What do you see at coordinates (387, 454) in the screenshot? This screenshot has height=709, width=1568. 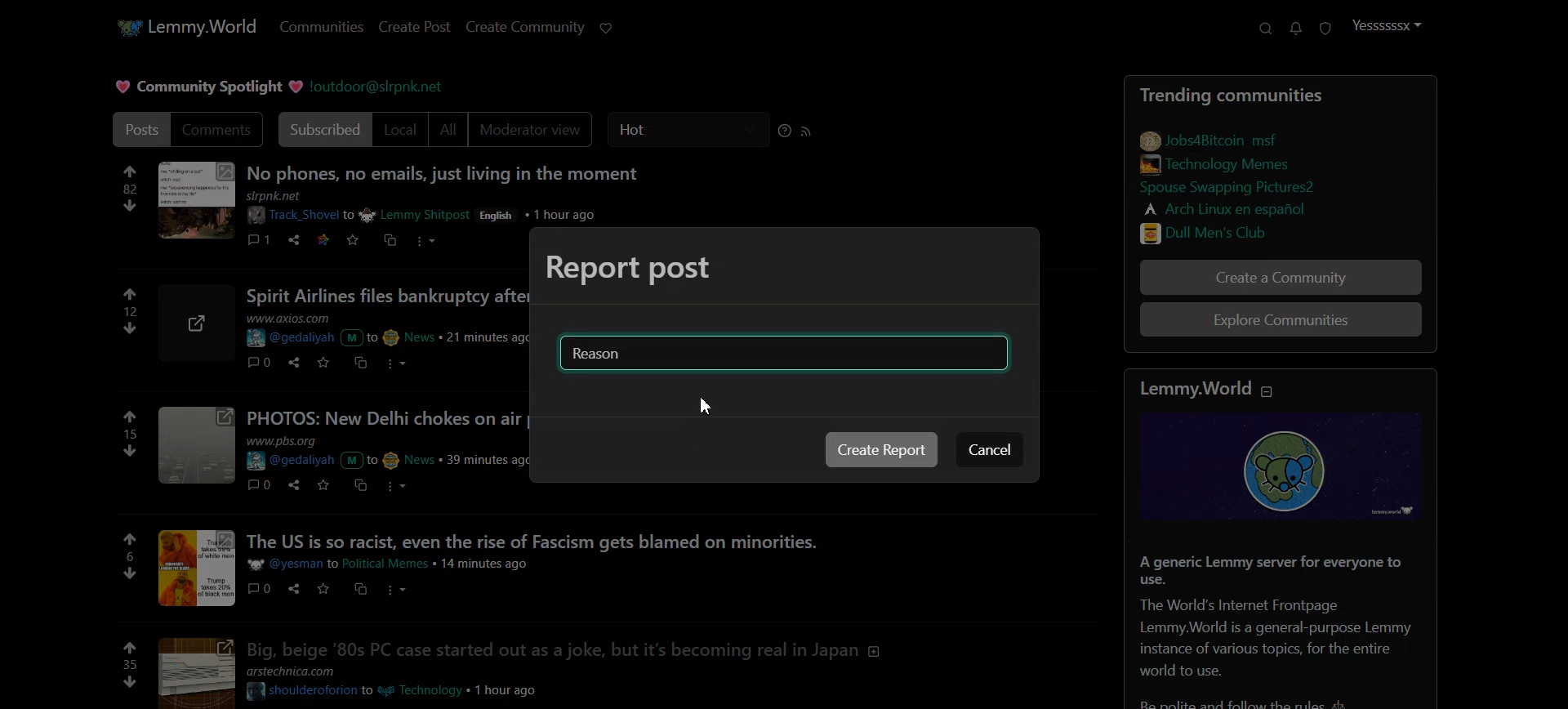 I see `post details` at bounding box center [387, 454].